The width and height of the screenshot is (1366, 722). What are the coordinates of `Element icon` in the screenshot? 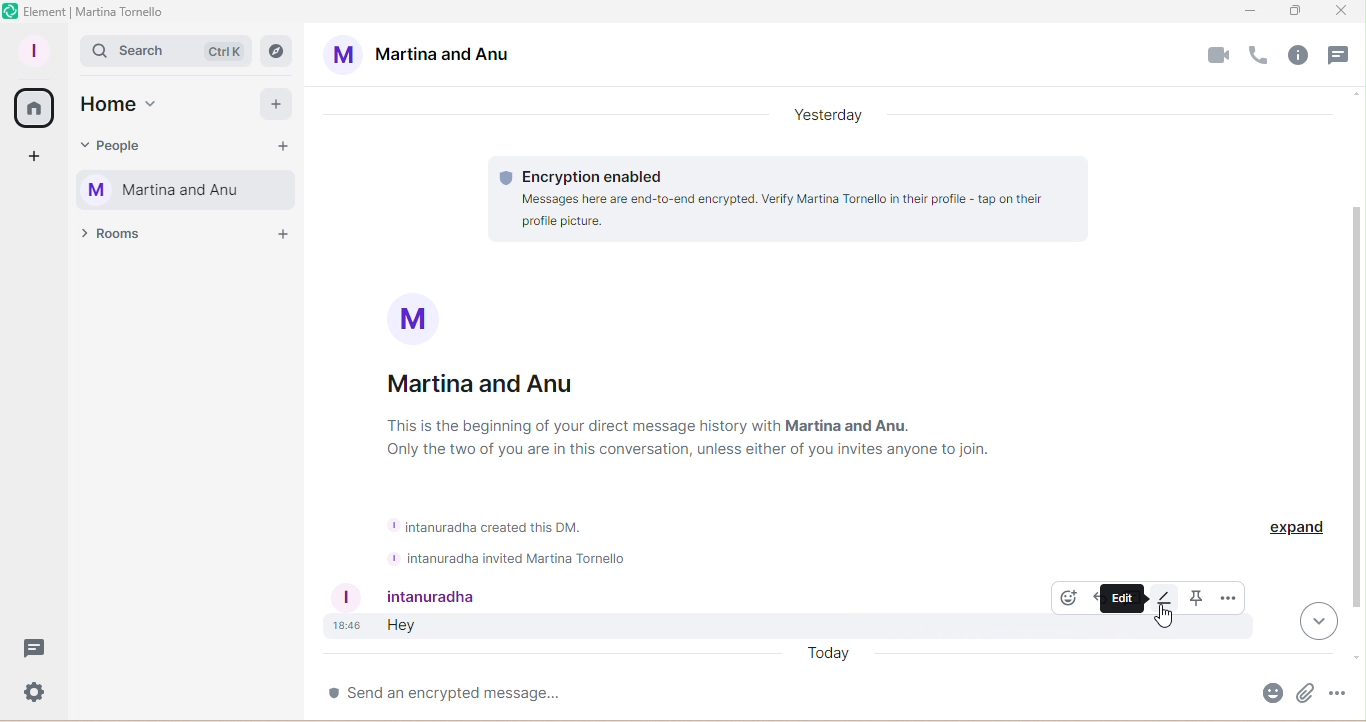 It's located at (9, 10).